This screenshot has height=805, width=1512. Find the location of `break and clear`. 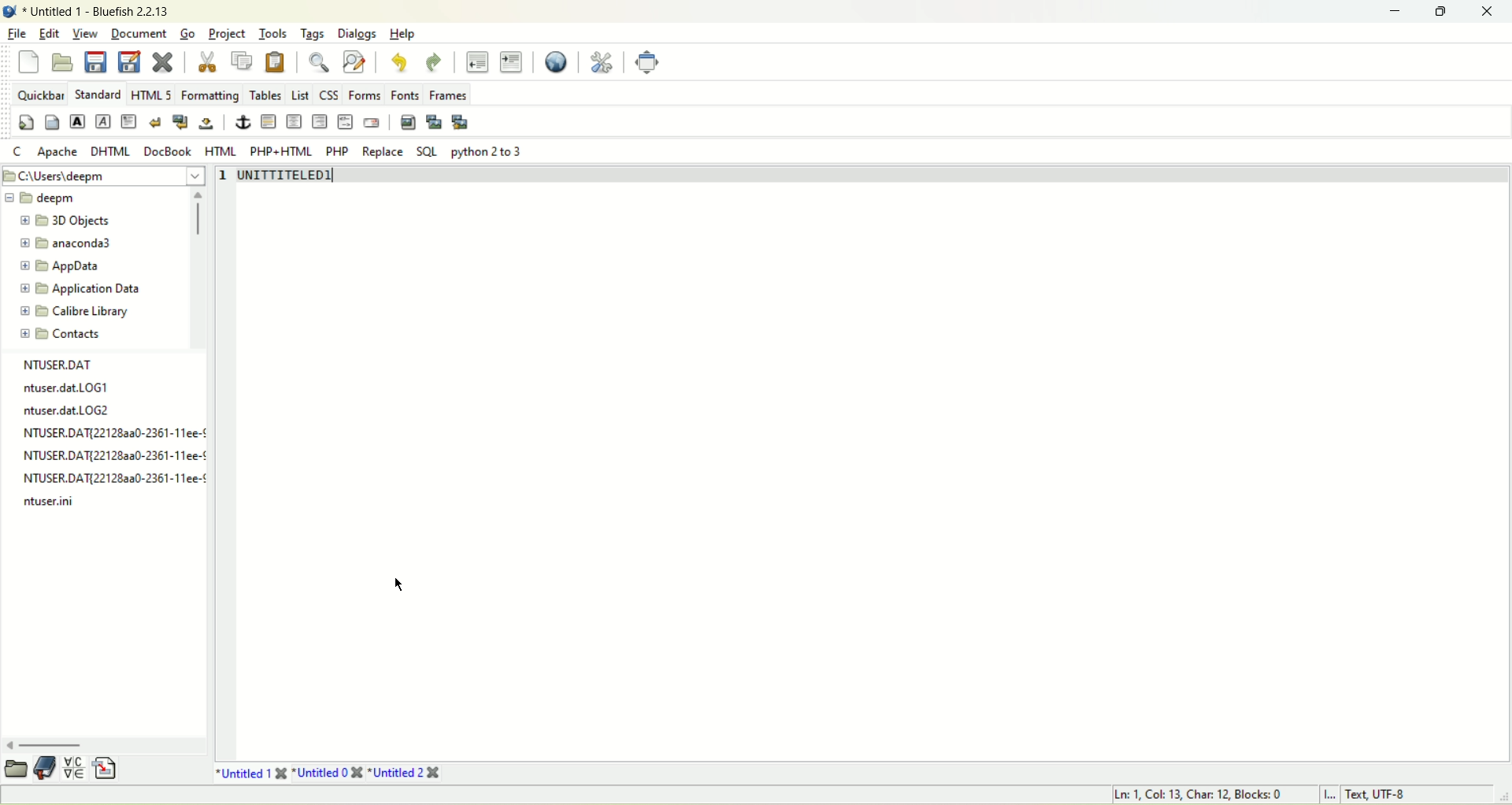

break and clear is located at coordinates (180, 122).